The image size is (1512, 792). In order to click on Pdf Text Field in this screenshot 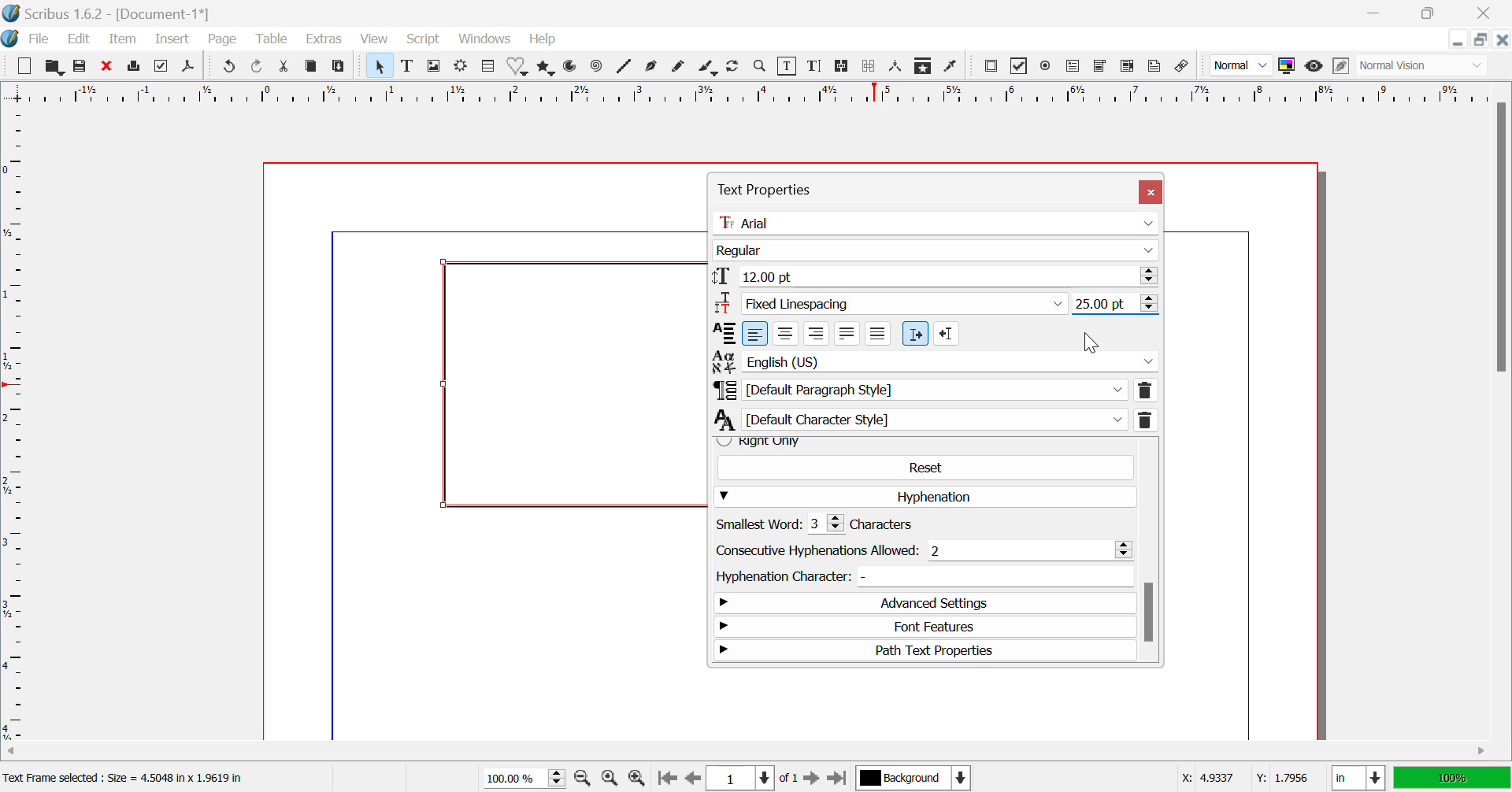, I will do `click(1074, 68)`.